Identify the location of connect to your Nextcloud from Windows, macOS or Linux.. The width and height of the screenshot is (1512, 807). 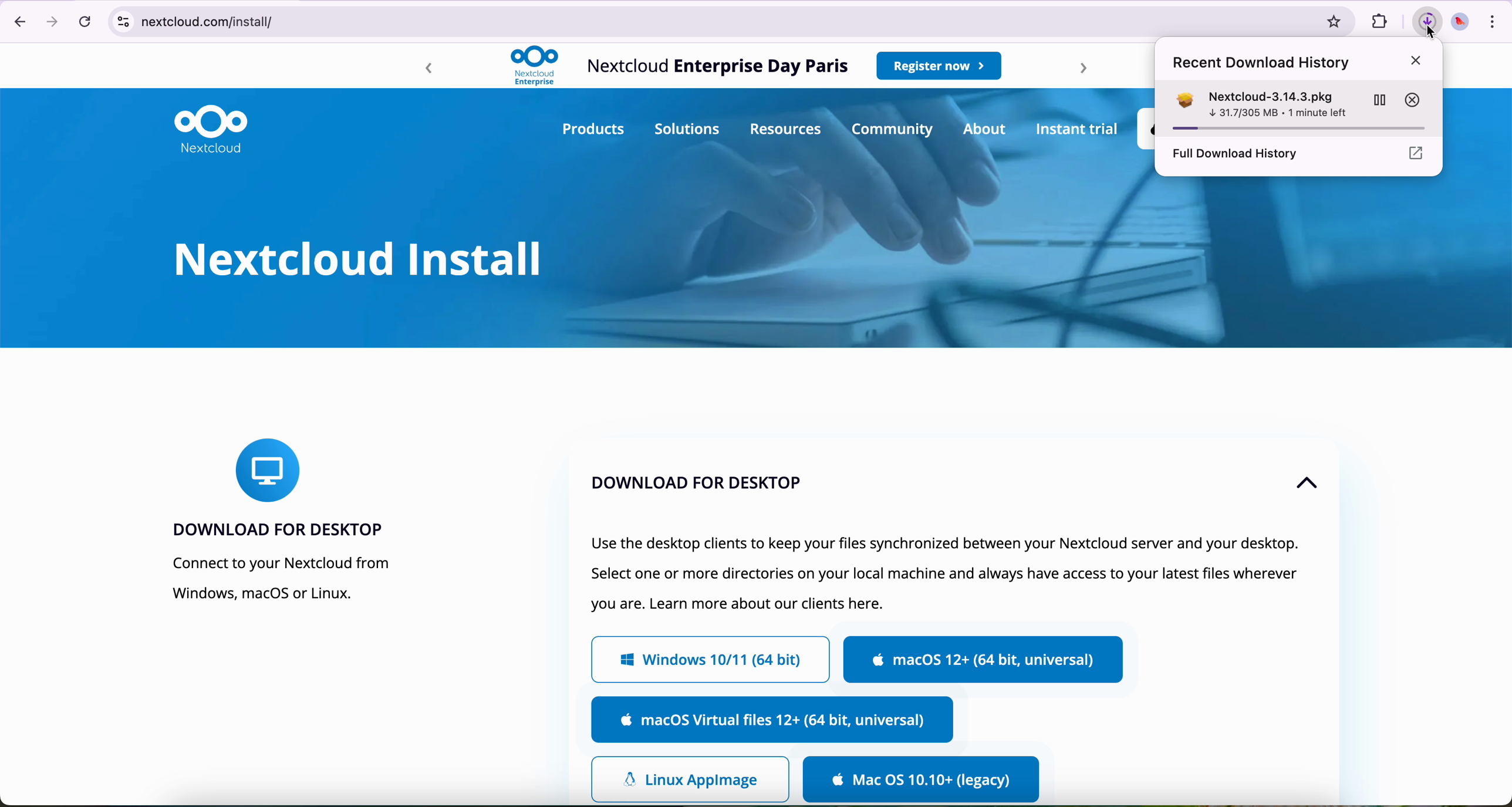
(278, 582).